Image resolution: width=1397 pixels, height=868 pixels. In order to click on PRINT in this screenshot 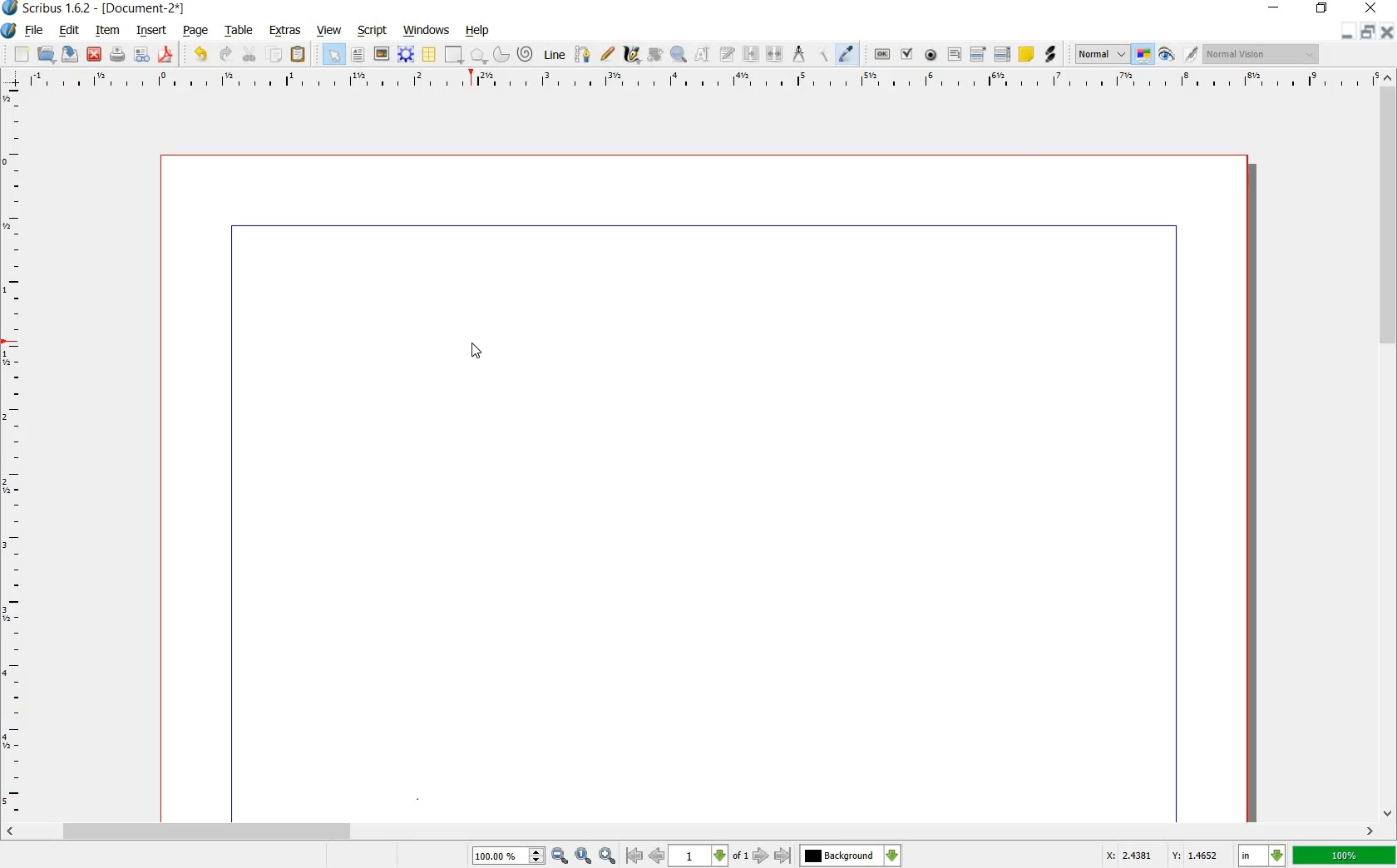, I will do `click(117, 55)`.